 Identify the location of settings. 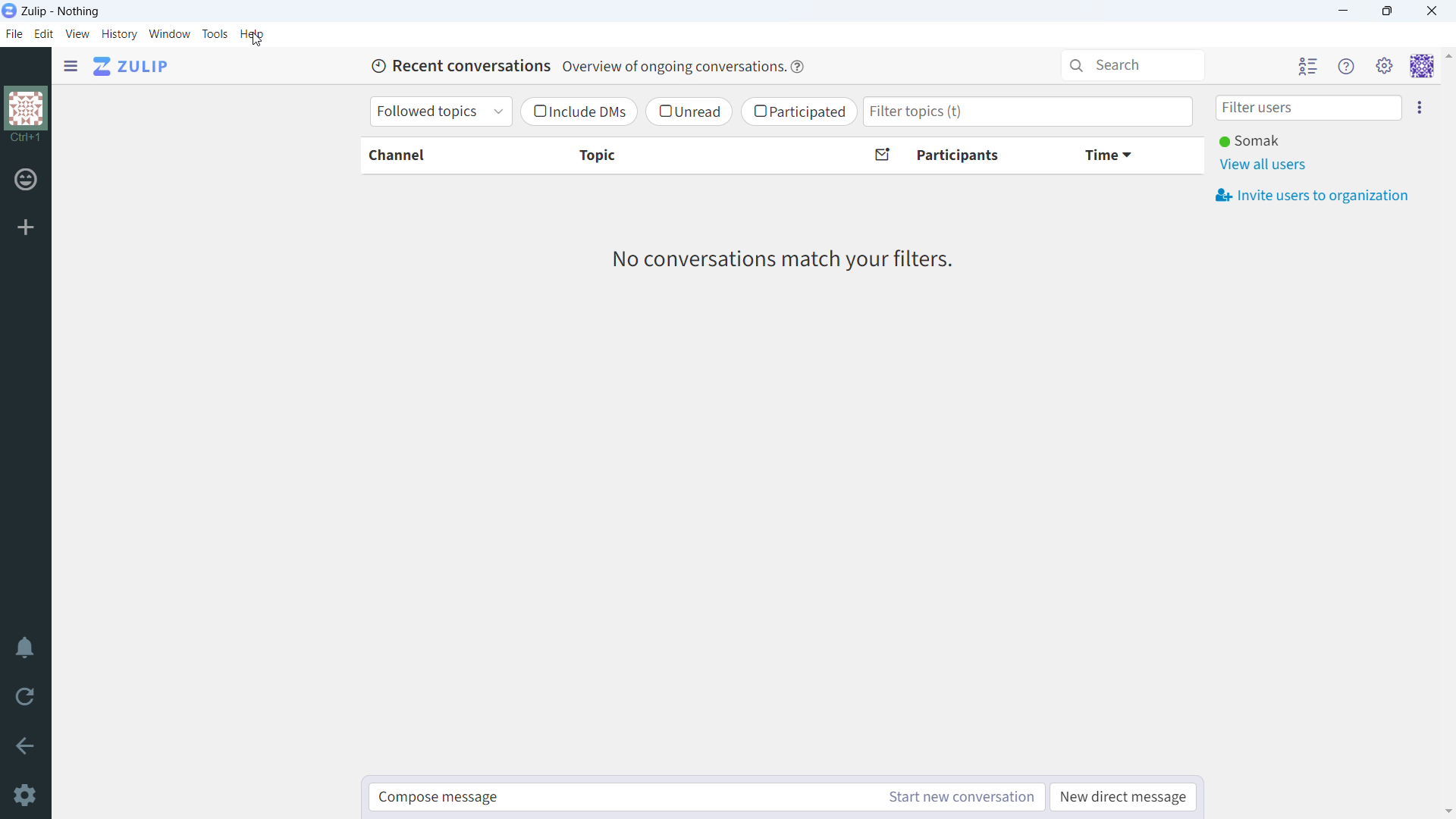
(23, 795).